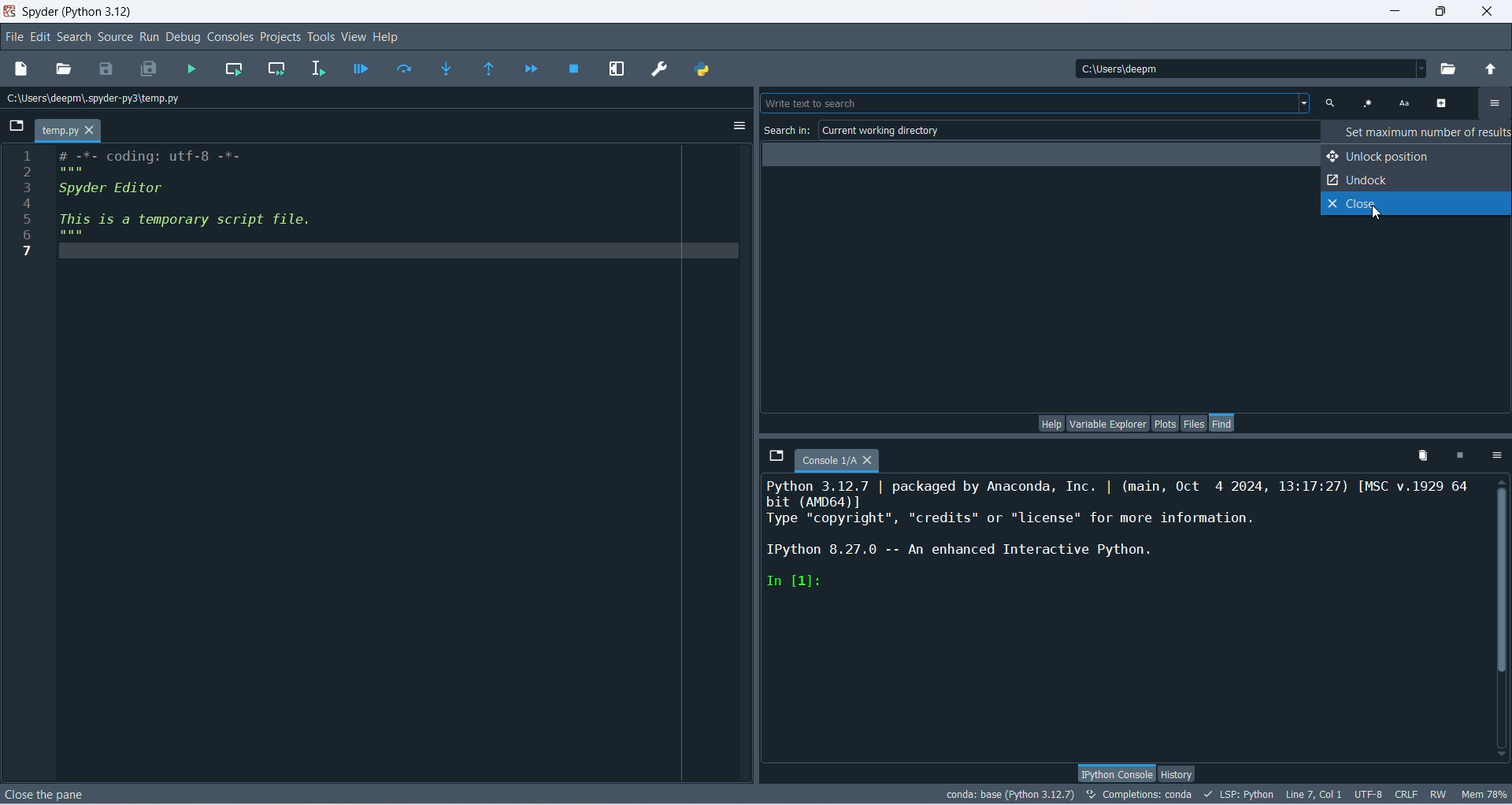 This screenshot has height=805, width=1512. I want to click on options, so click(738, 127).